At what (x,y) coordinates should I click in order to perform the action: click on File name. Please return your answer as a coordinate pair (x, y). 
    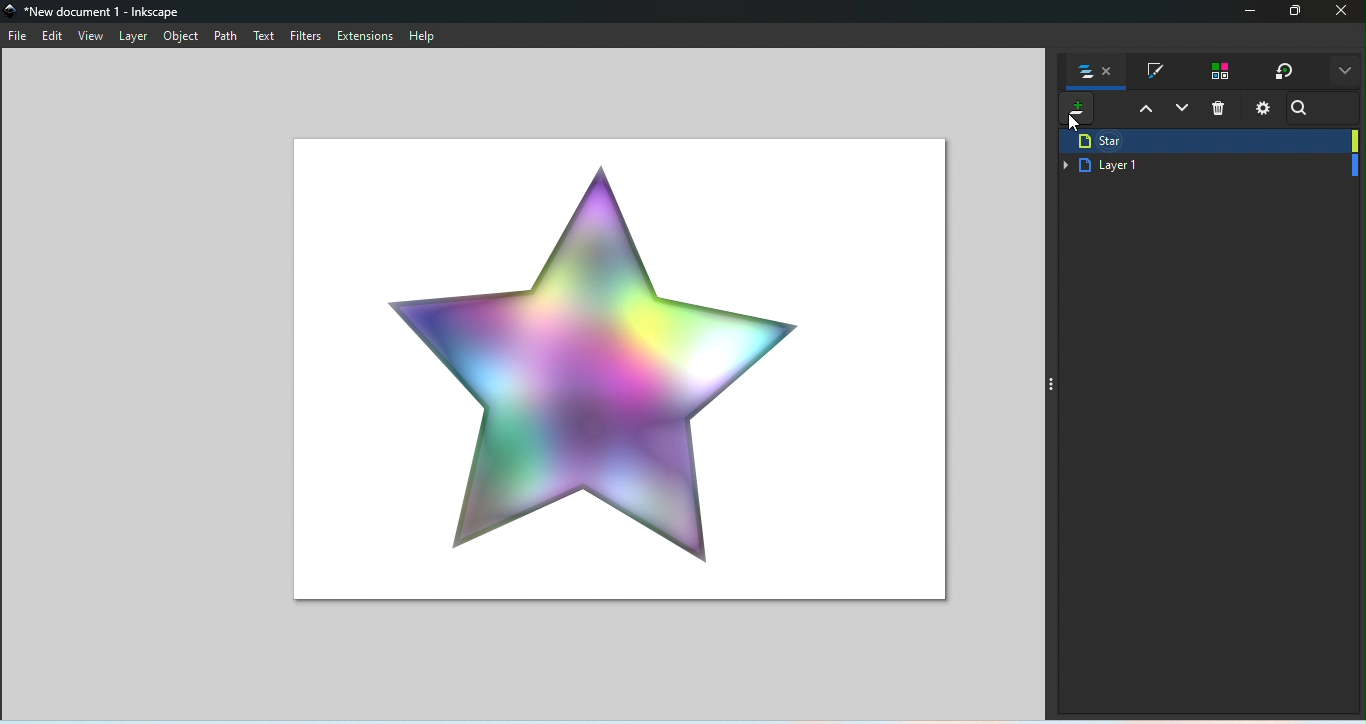
    Looking at the image, I should click on (98, 10).